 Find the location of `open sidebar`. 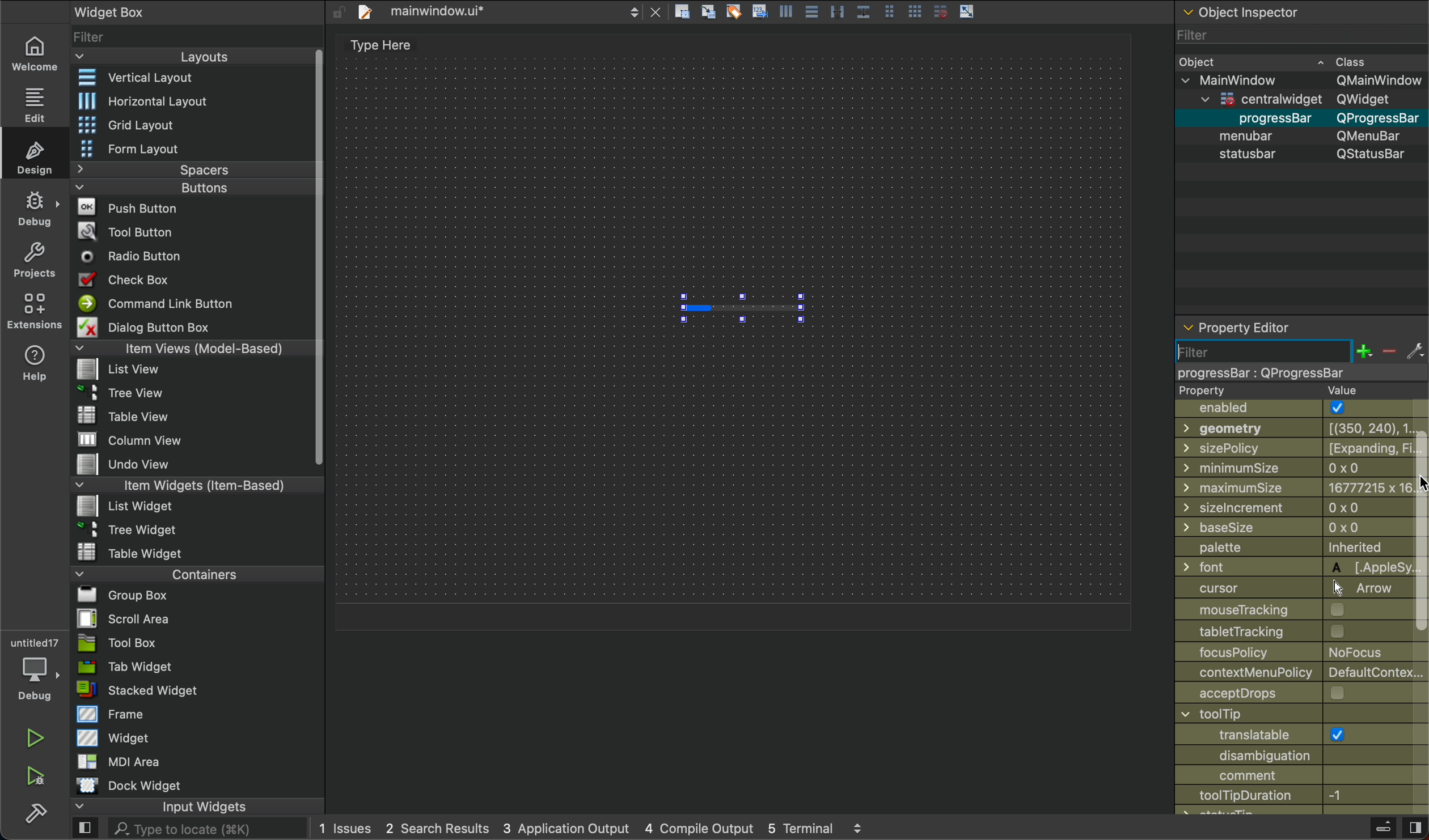

open sidebar is located at coordinates (85, 829).